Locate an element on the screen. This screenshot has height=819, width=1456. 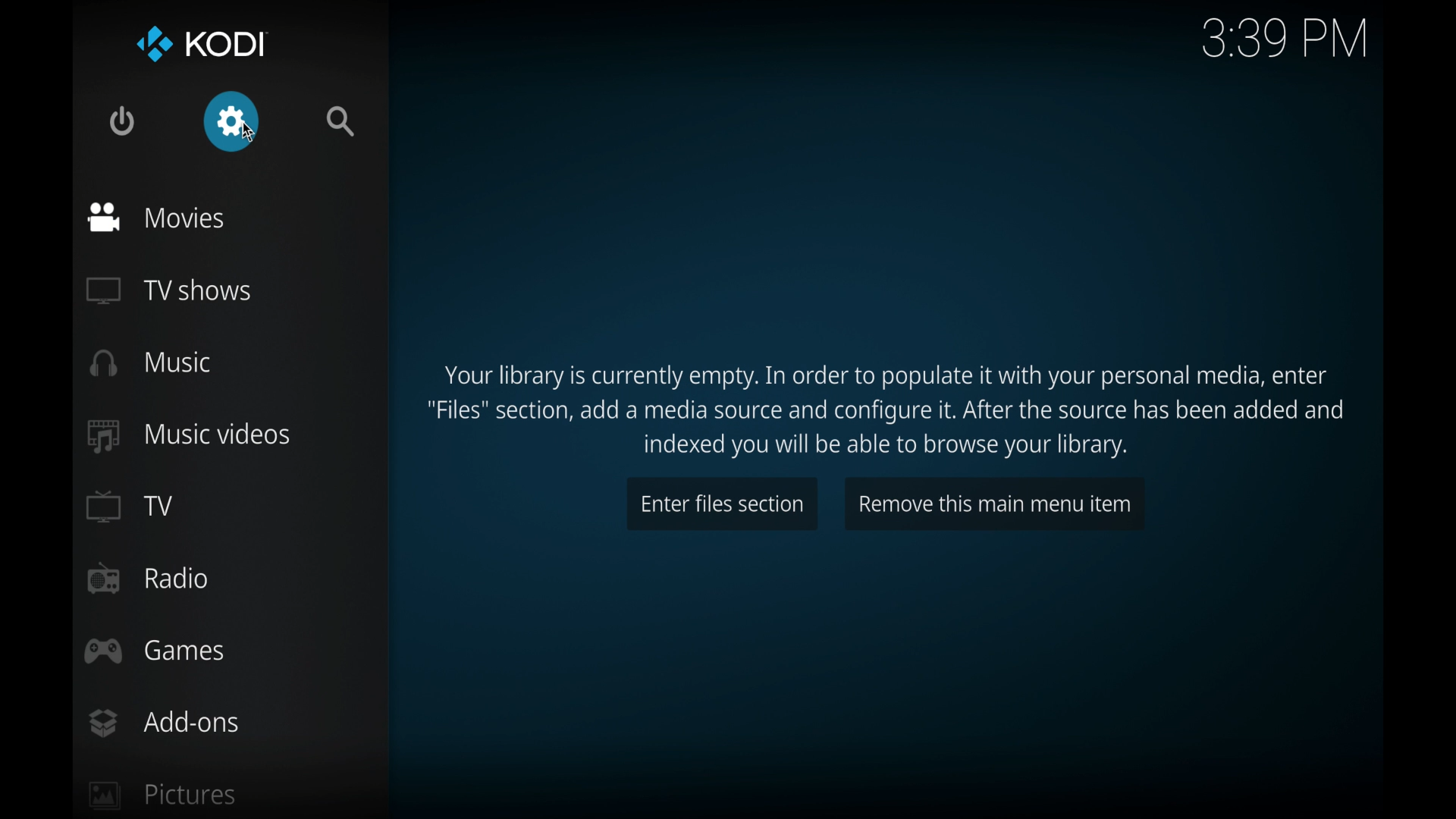
movies is located at coordinates (159, 218).